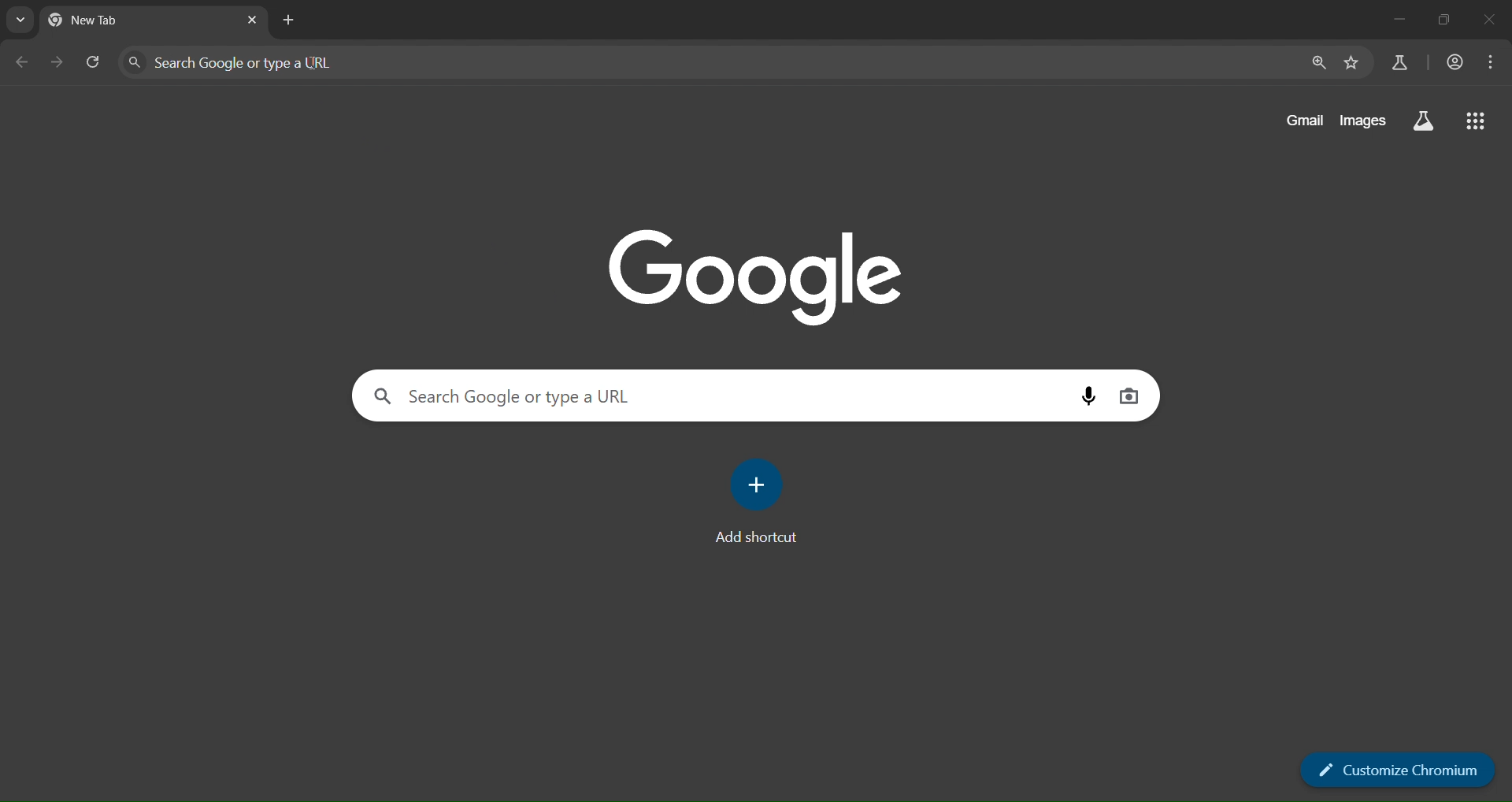 The height and width of the screenshot is (802, 1512). What do you see at coordinates (1456, 61) in the screenshot?
I see `accounts` at bounding box center [1456, 61].